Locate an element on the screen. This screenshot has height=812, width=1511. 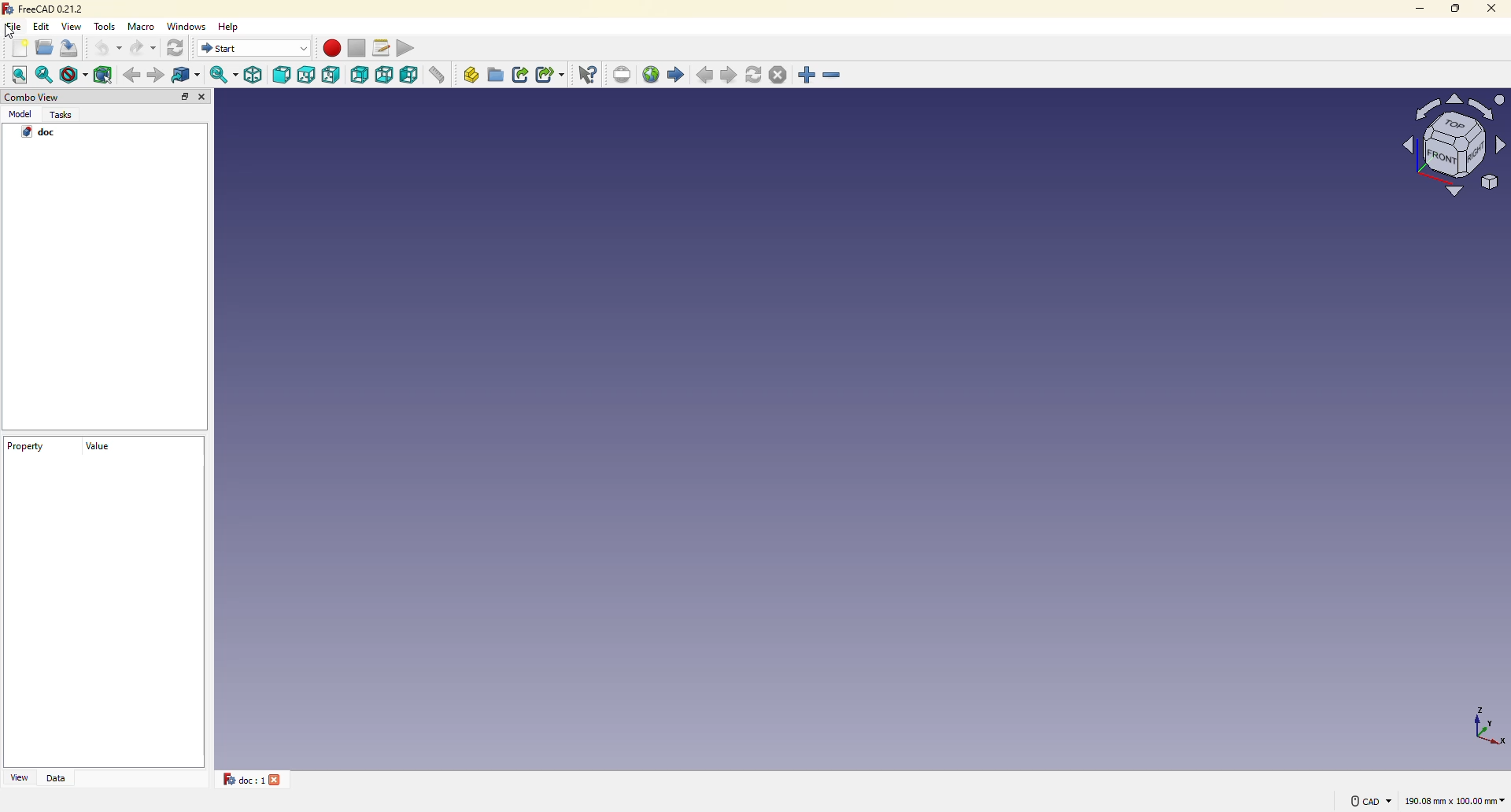
maximize is located at coordinates (1454, 8).